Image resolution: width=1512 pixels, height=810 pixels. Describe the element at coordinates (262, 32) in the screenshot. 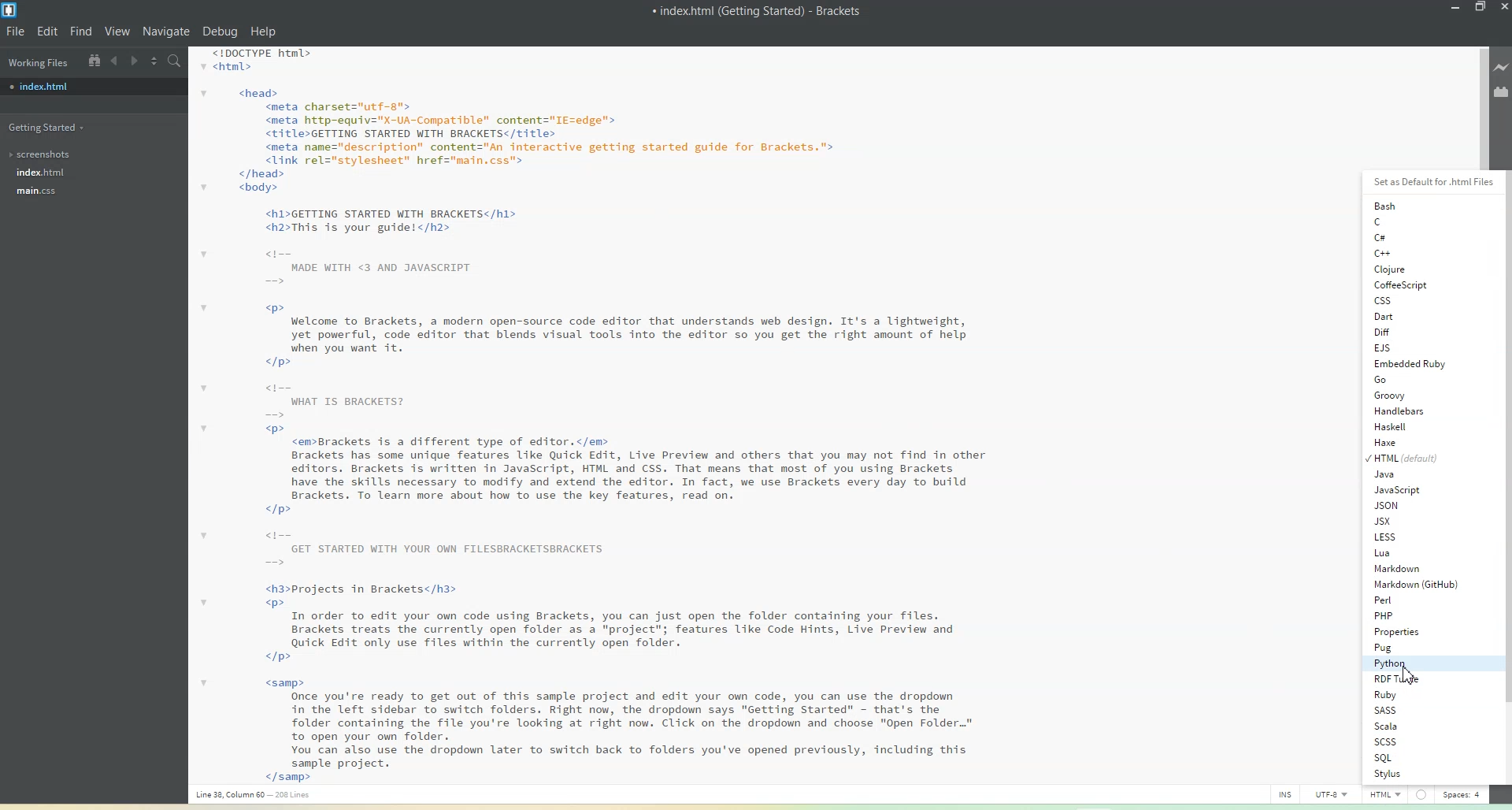

I see `Help` at that location.